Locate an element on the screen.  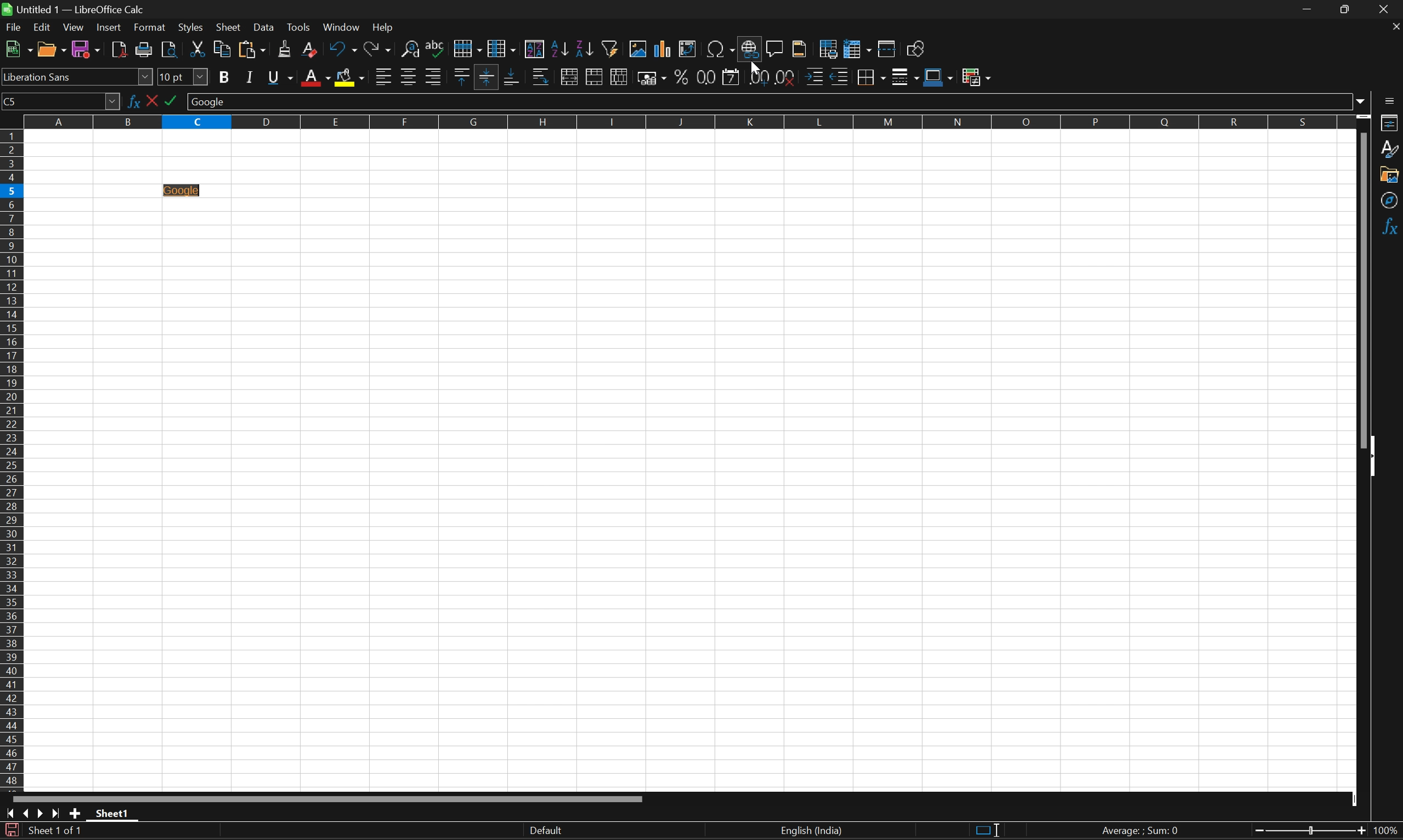
Minimize is located at coordinates (1308, 10).